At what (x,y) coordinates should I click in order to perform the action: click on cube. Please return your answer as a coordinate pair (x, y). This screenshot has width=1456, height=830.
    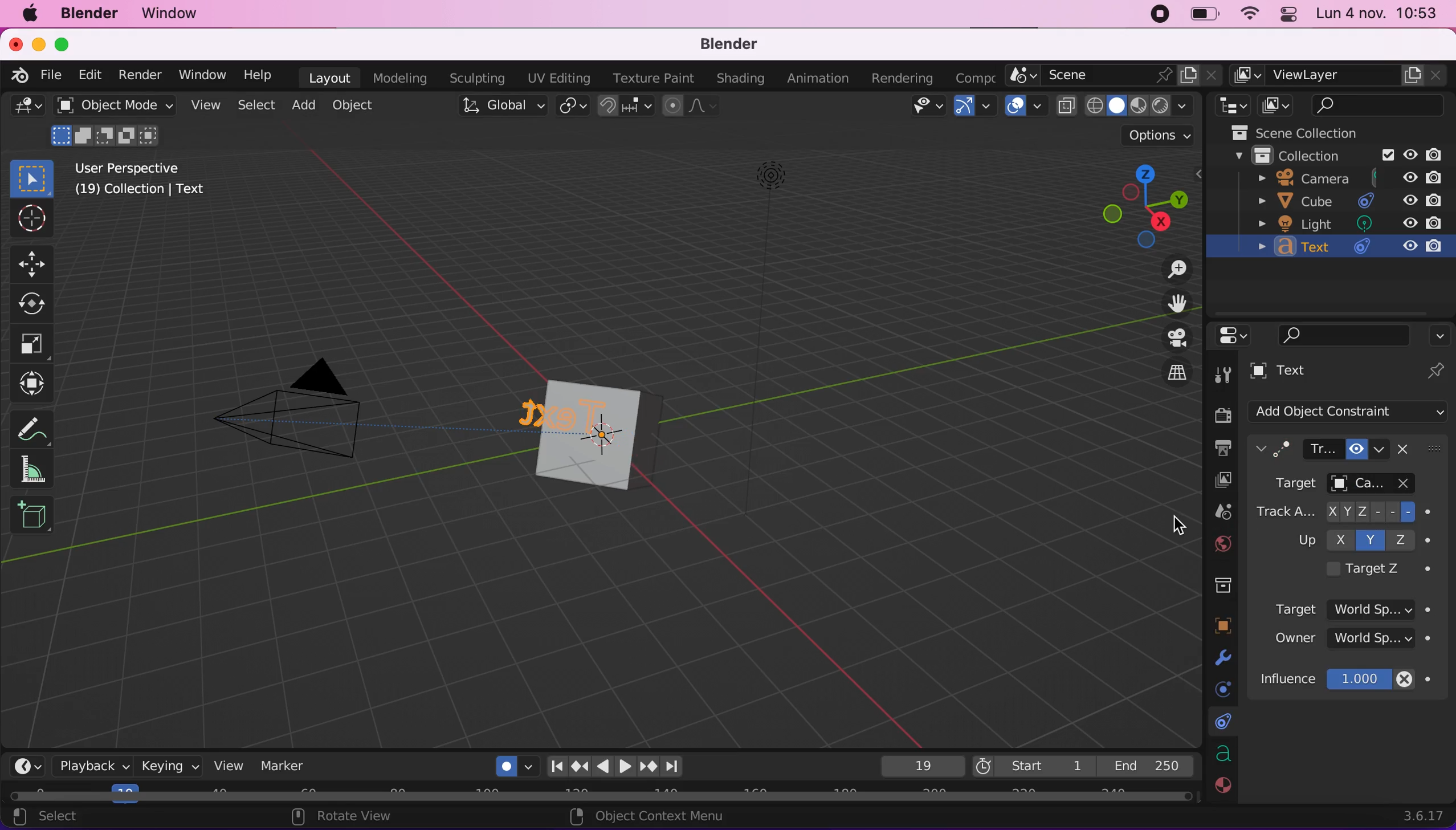
    Looking at the image, I should click on (1342, 201).